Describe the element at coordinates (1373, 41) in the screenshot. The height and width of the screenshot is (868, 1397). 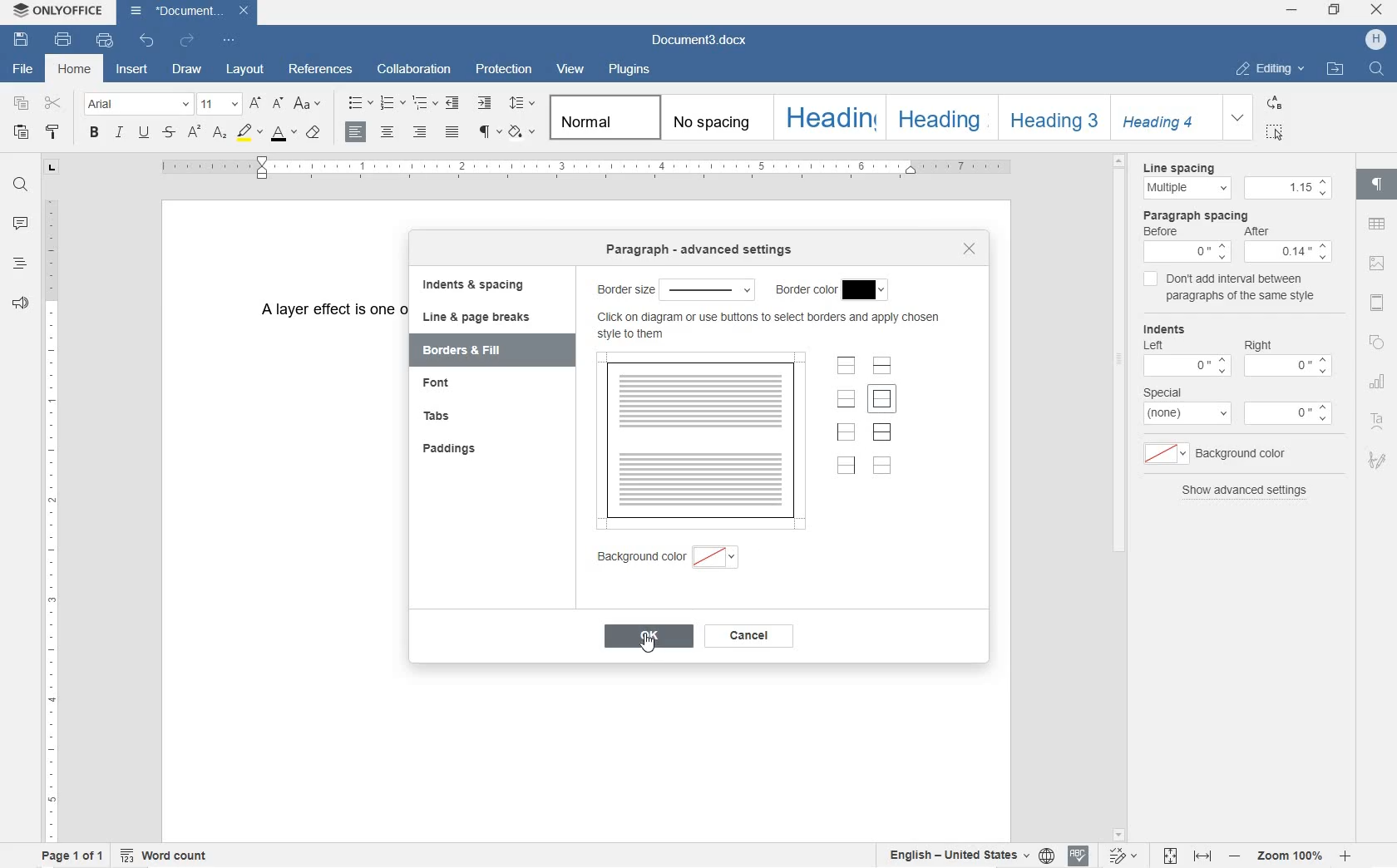
I see `HP` at that location.